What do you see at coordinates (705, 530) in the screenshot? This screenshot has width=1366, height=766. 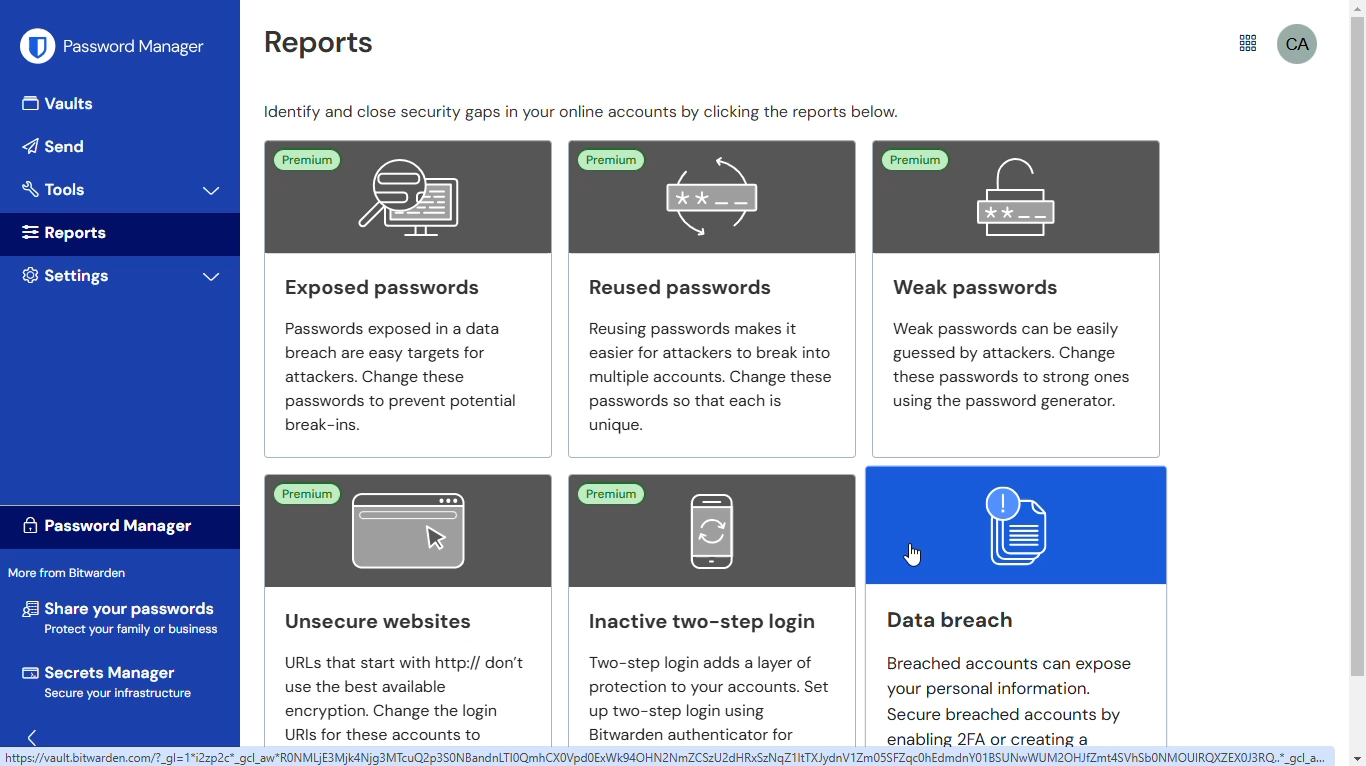 I see `inactive two-step login` at bounding box center [705, 530].